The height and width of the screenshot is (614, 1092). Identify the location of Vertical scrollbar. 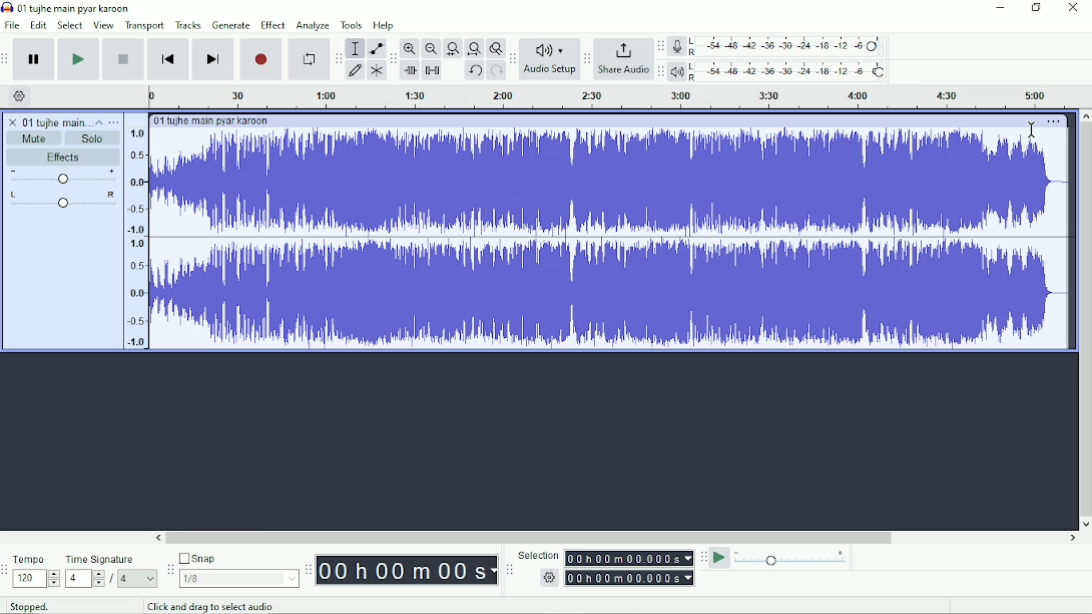
(1085, 320).